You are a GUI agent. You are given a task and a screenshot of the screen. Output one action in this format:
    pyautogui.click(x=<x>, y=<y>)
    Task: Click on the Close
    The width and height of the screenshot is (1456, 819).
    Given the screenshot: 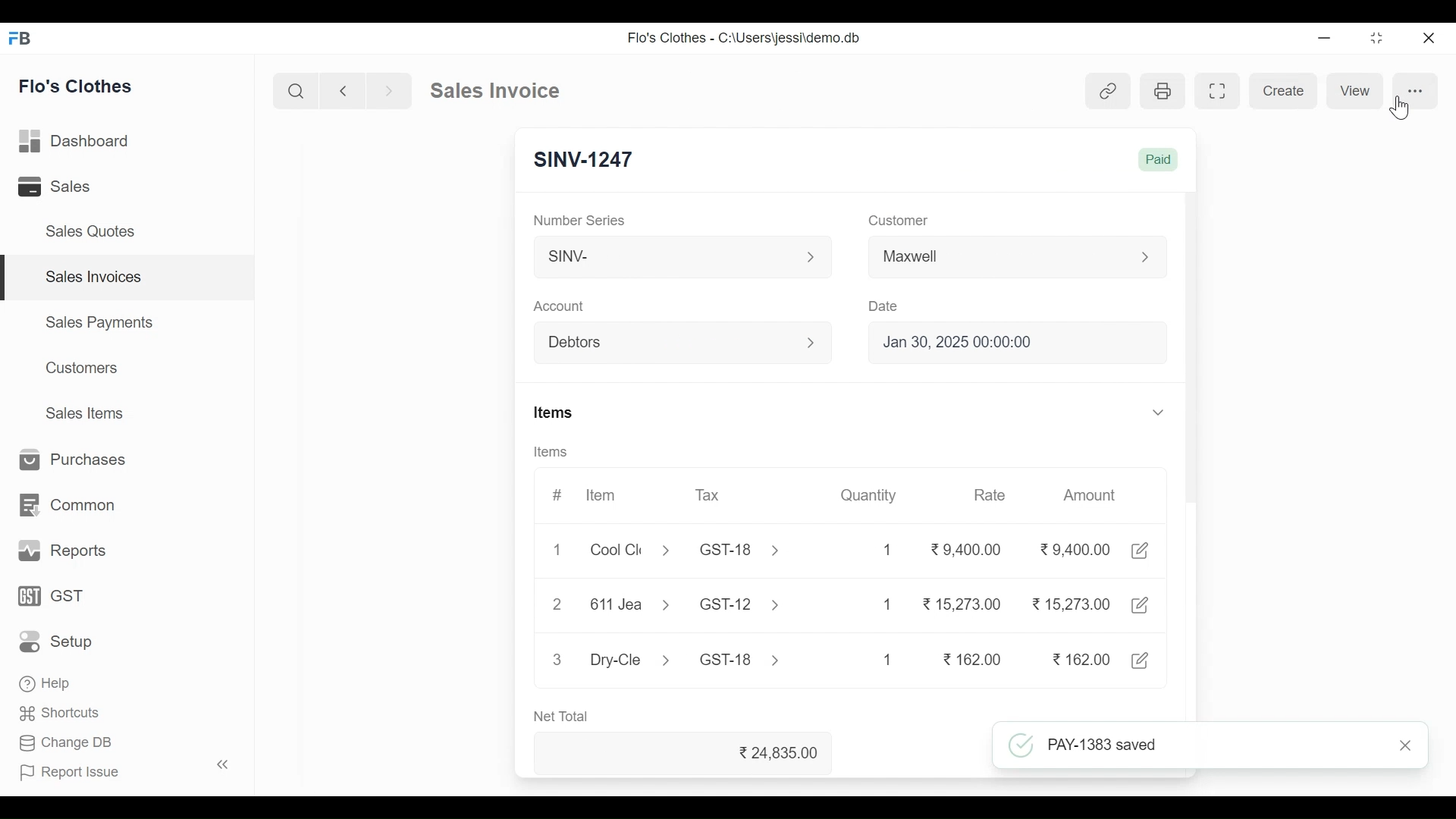 What is the action you would take?
    pyautogui.click(x=1426, y=39)
    